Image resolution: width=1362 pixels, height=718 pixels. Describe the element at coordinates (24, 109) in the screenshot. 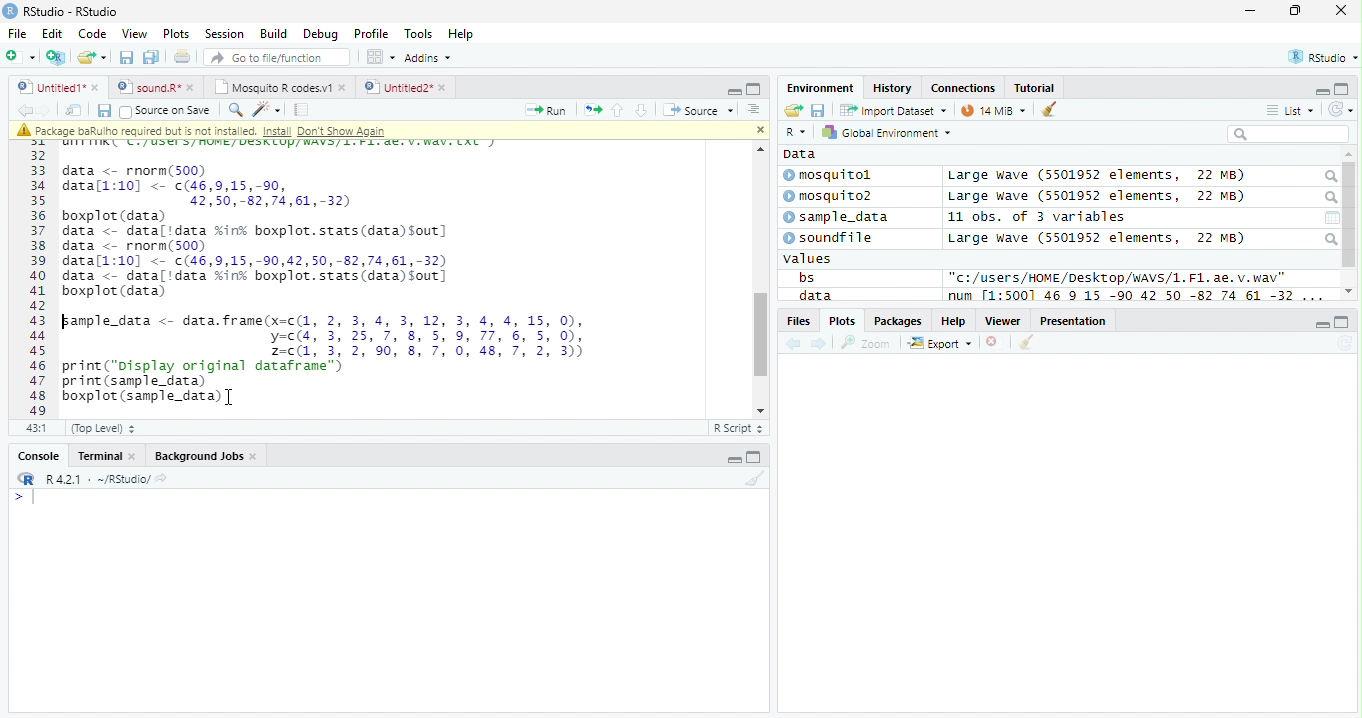

I see `Go backward` at that location.